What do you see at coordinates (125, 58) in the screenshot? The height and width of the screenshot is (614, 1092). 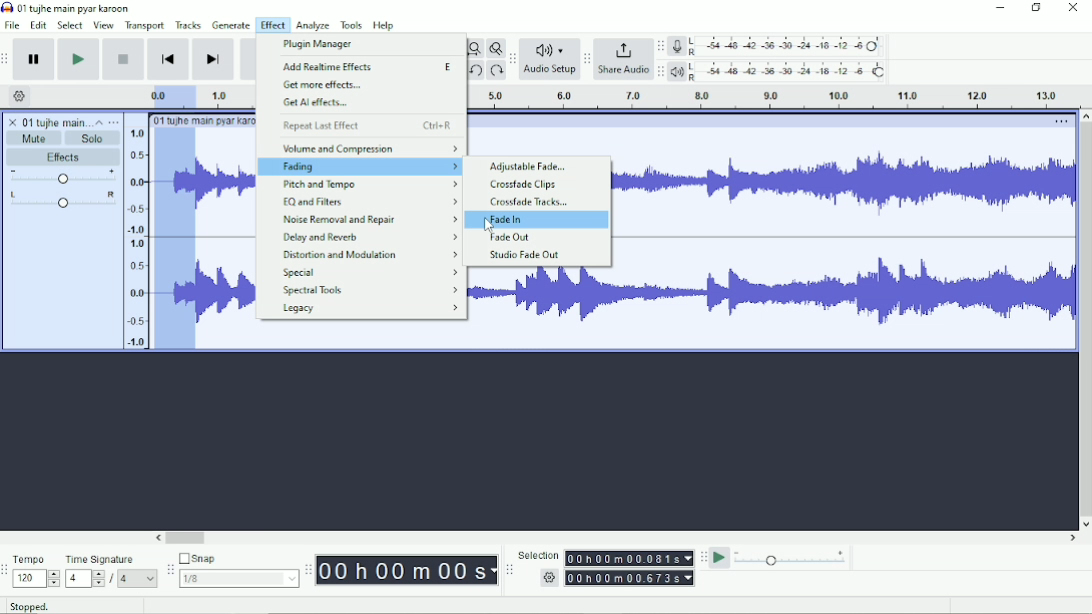 I see `Stop` at bounding box center [125, 58].